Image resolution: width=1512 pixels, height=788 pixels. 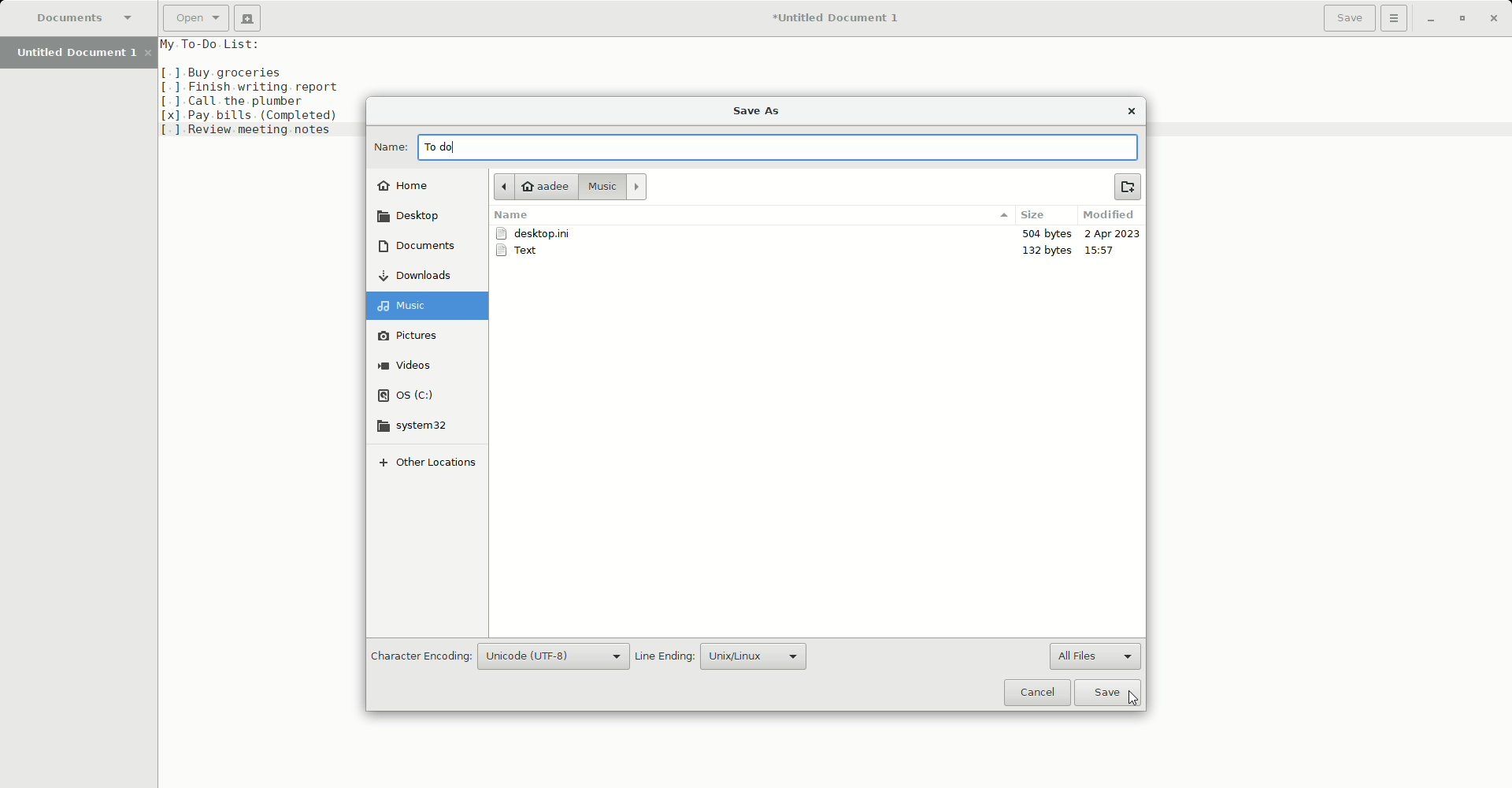 What do you see at coordinates (841, 17) in the screenshot?
I see `Untitled Document 1` at bounding box center [841, 17].